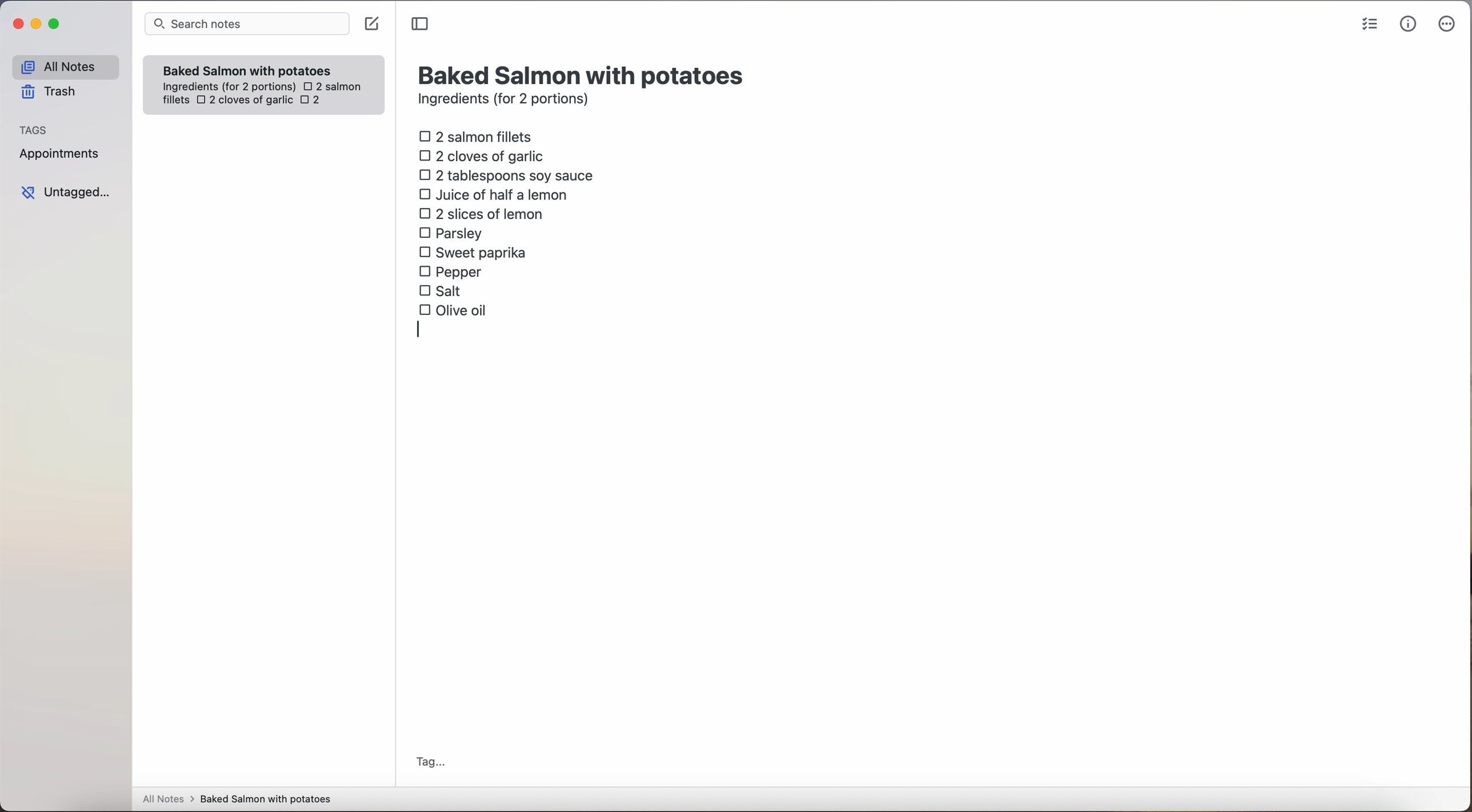  What do you see at coordinates (246, 25) in the screenshot?
I see `search bar` at bounding box center [246, 25].